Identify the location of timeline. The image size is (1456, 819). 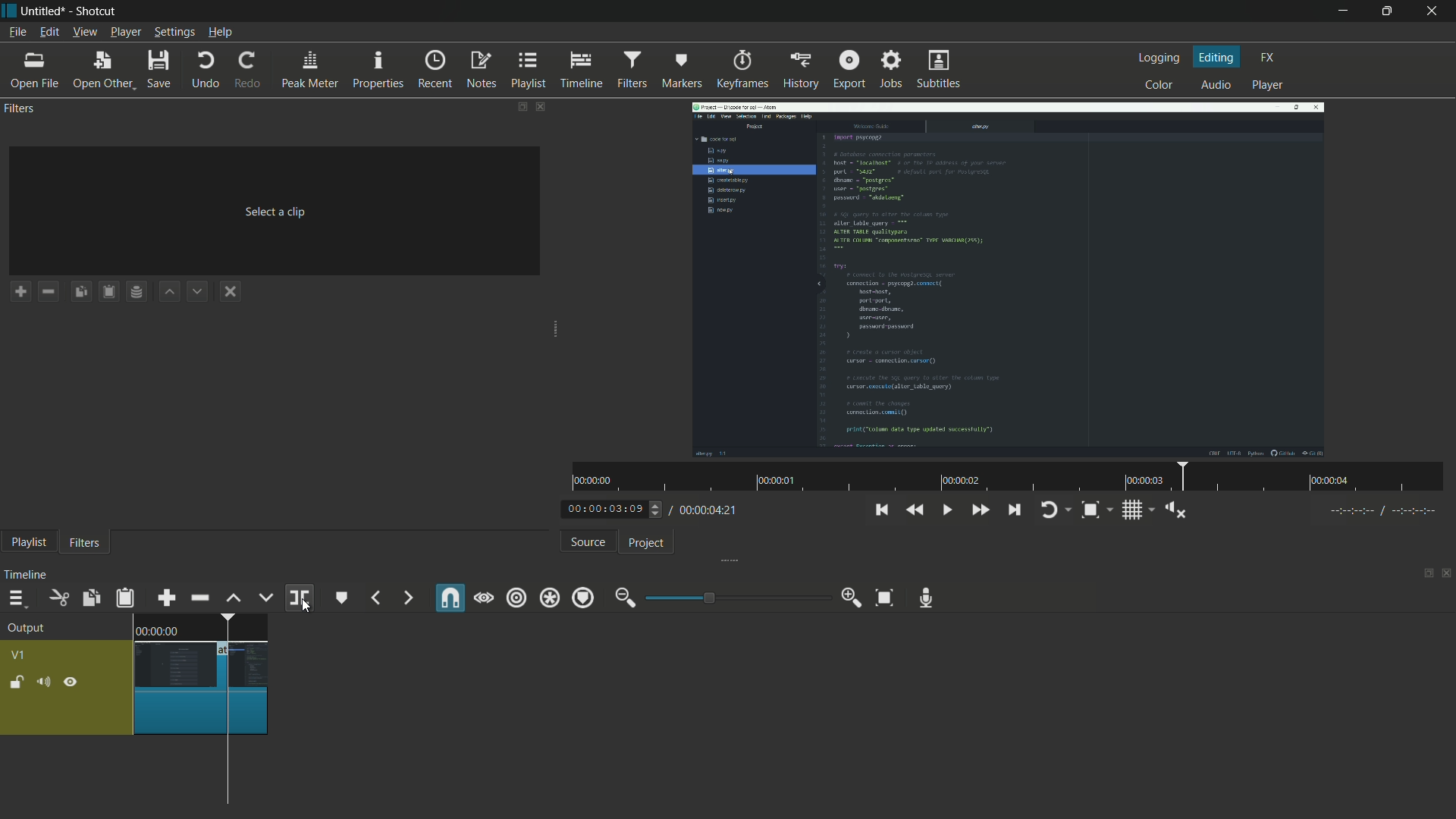
(581, 71).